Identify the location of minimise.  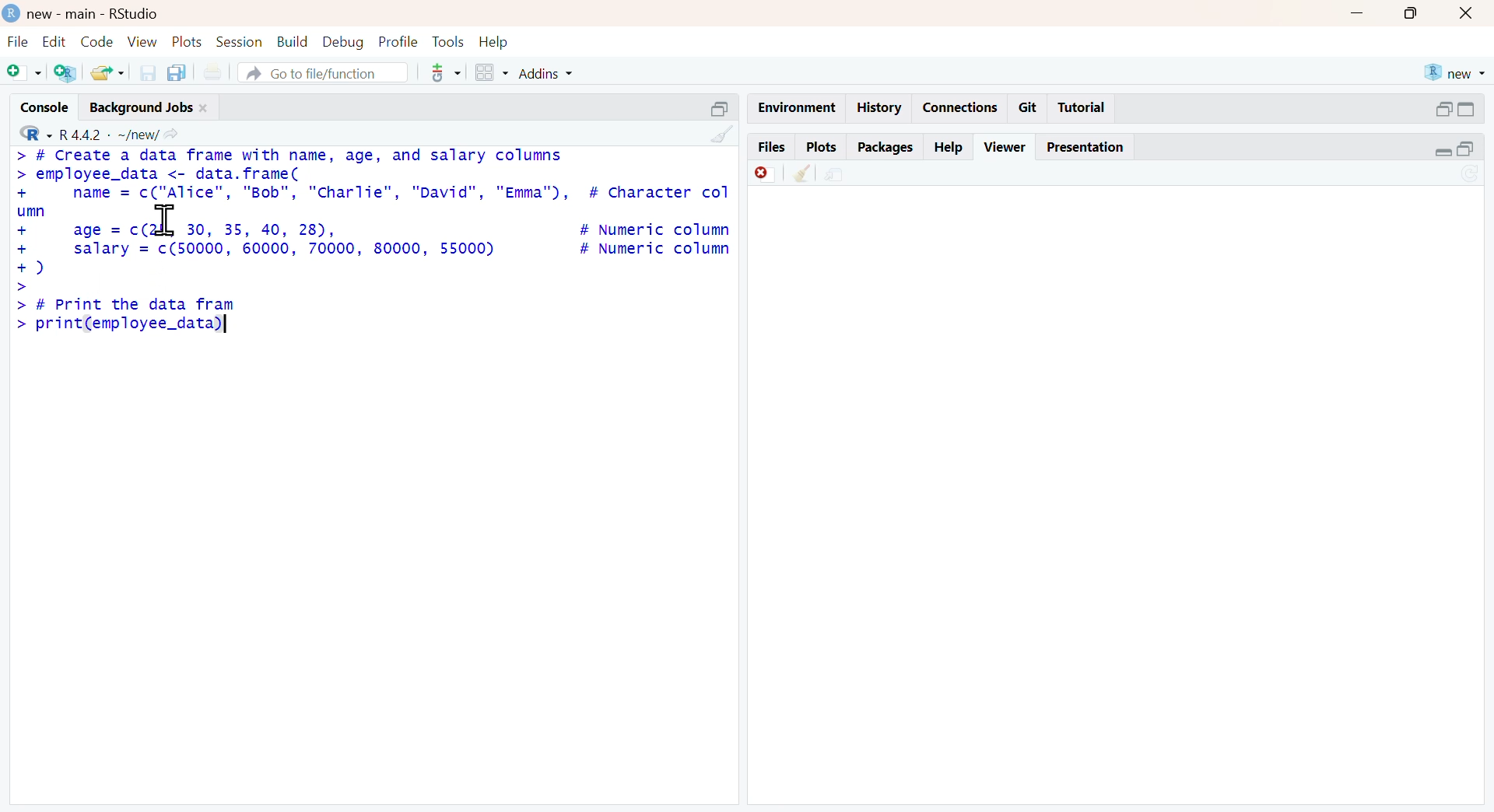
(1453, 149).